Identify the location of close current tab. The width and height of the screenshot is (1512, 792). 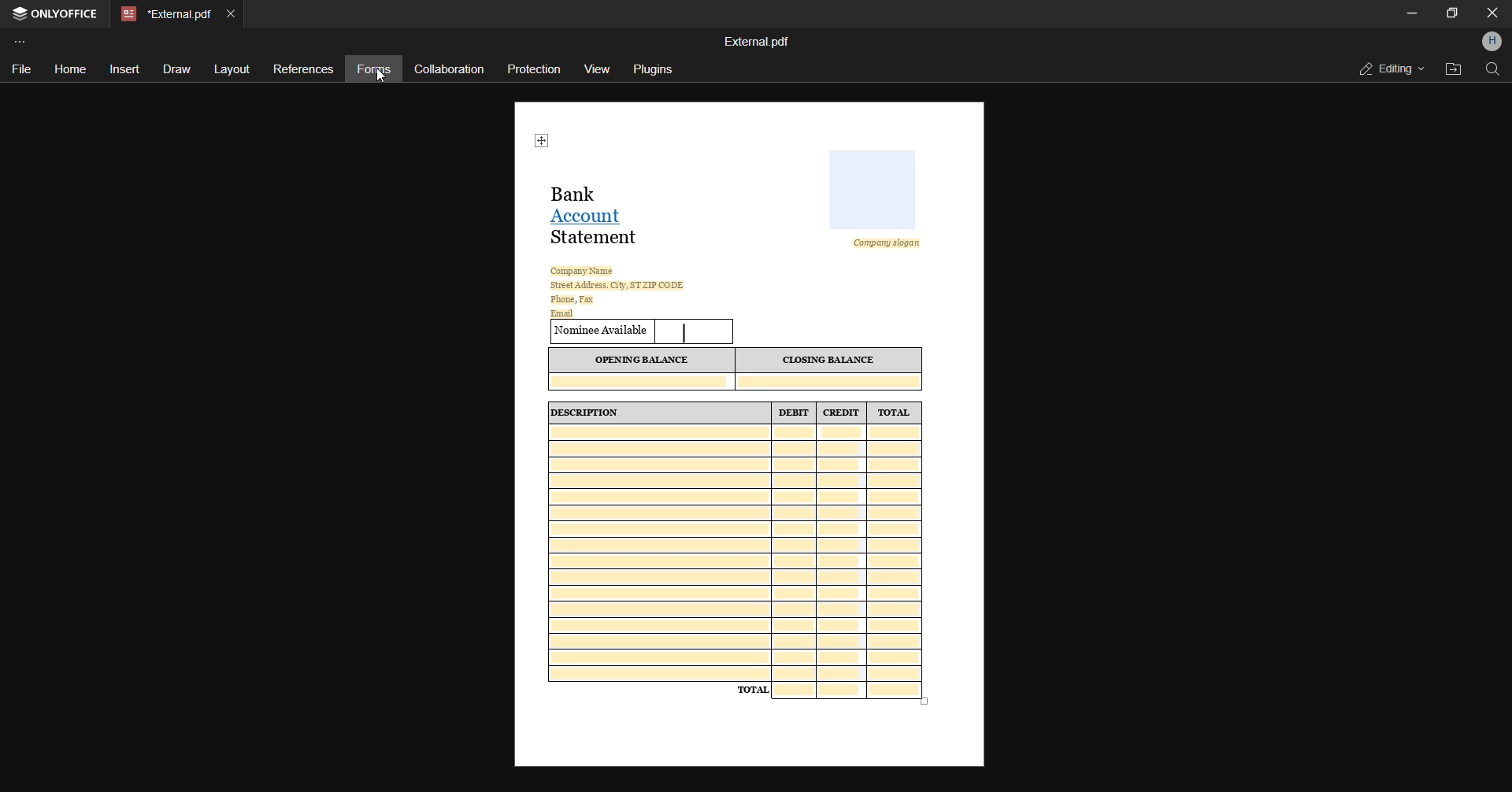
(235, 13).